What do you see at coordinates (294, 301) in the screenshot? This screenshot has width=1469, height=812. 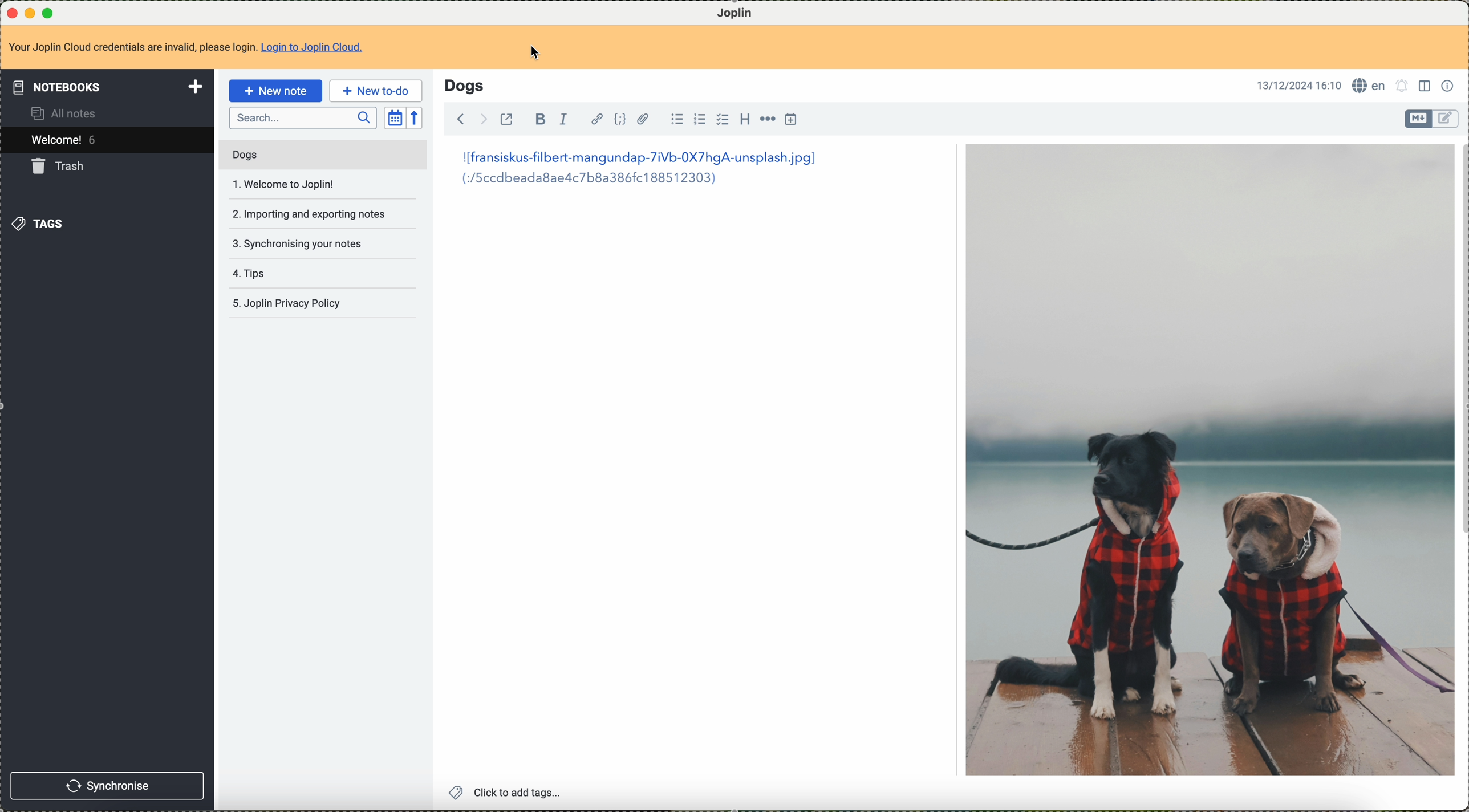 I see `Joplin privacy policy` at bounding box center [294, 301].